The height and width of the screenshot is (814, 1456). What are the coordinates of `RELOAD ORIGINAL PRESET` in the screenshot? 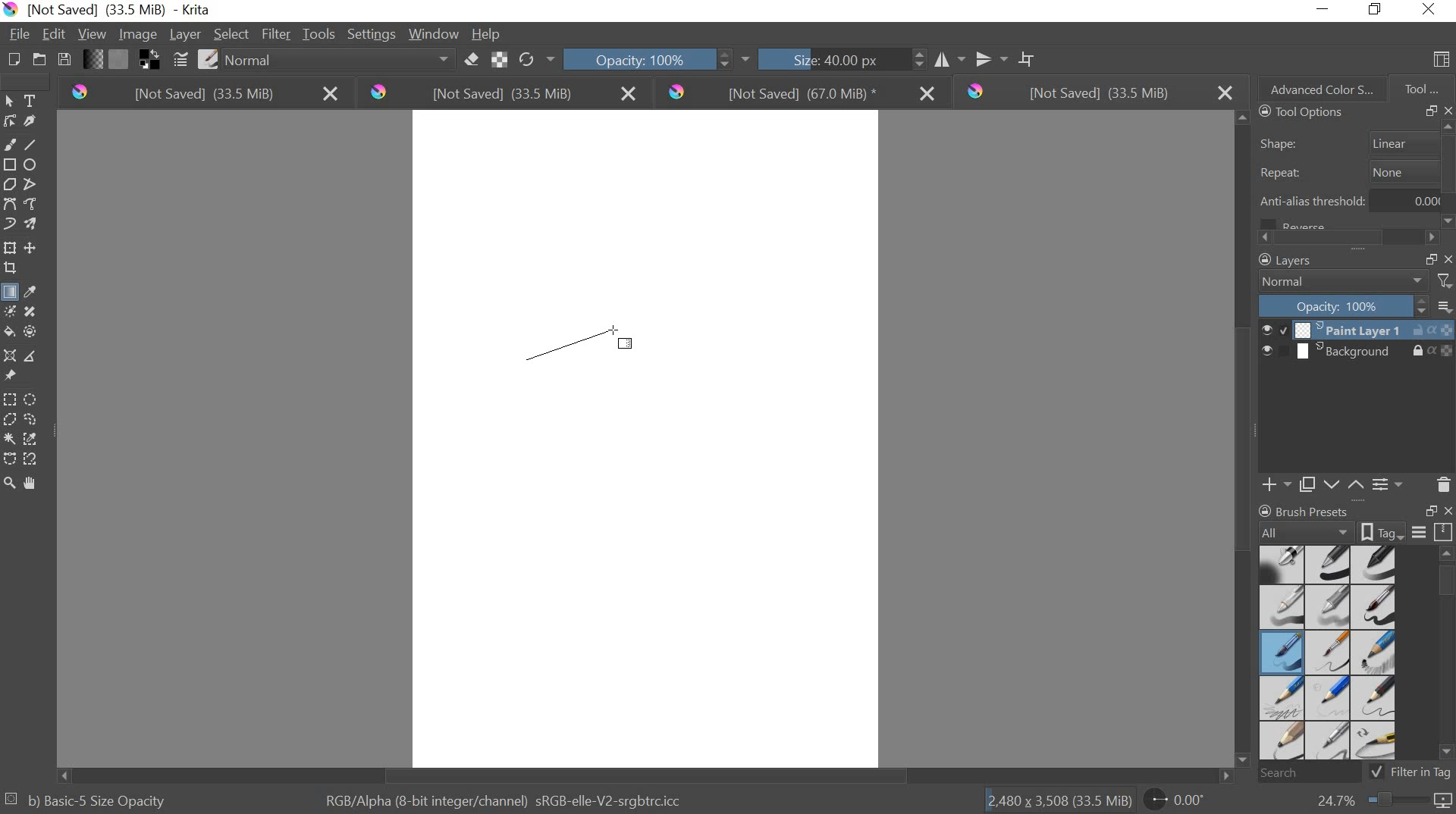 It's located at (540, 58).